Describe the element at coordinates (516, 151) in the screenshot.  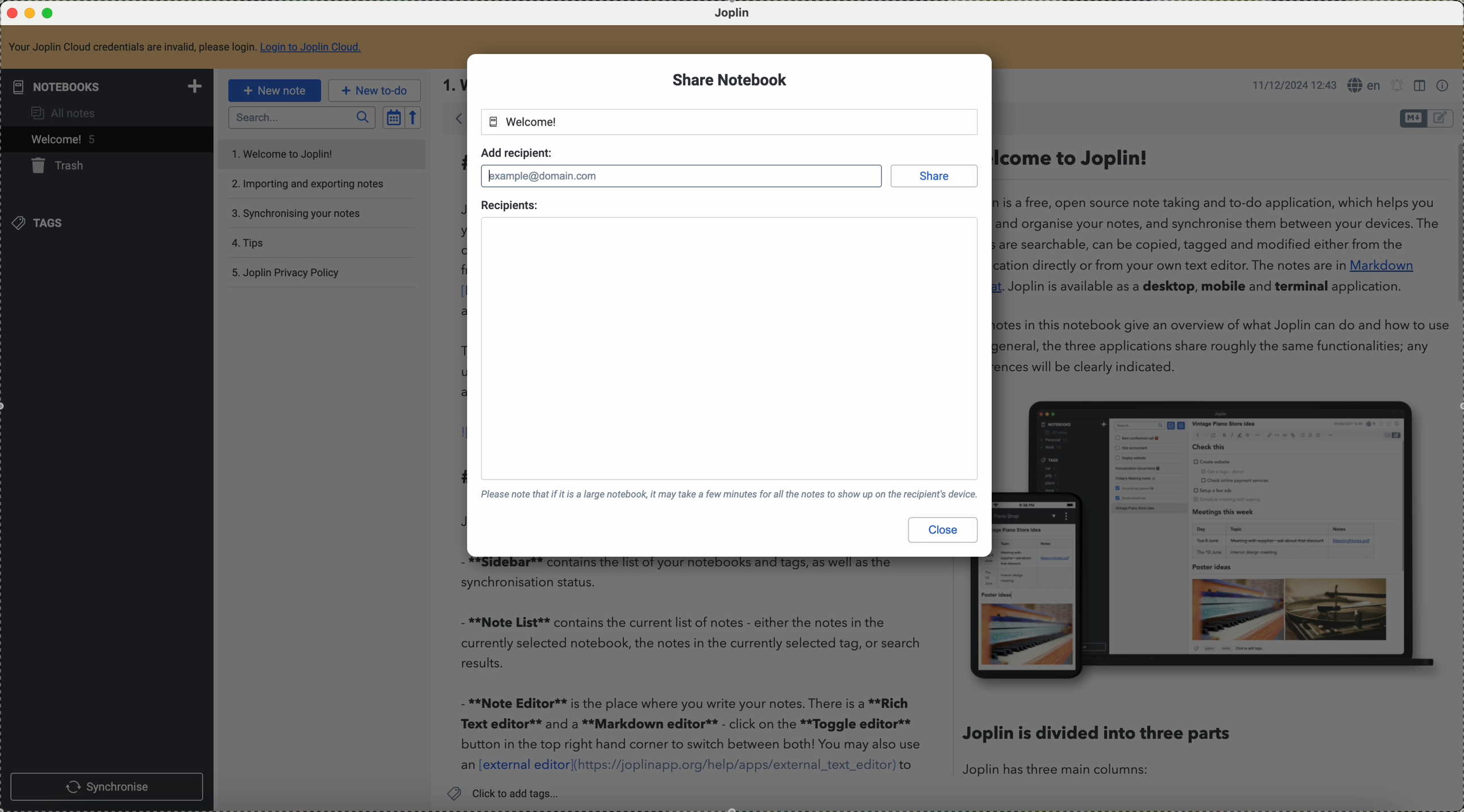
I see `add recipient` at that location.